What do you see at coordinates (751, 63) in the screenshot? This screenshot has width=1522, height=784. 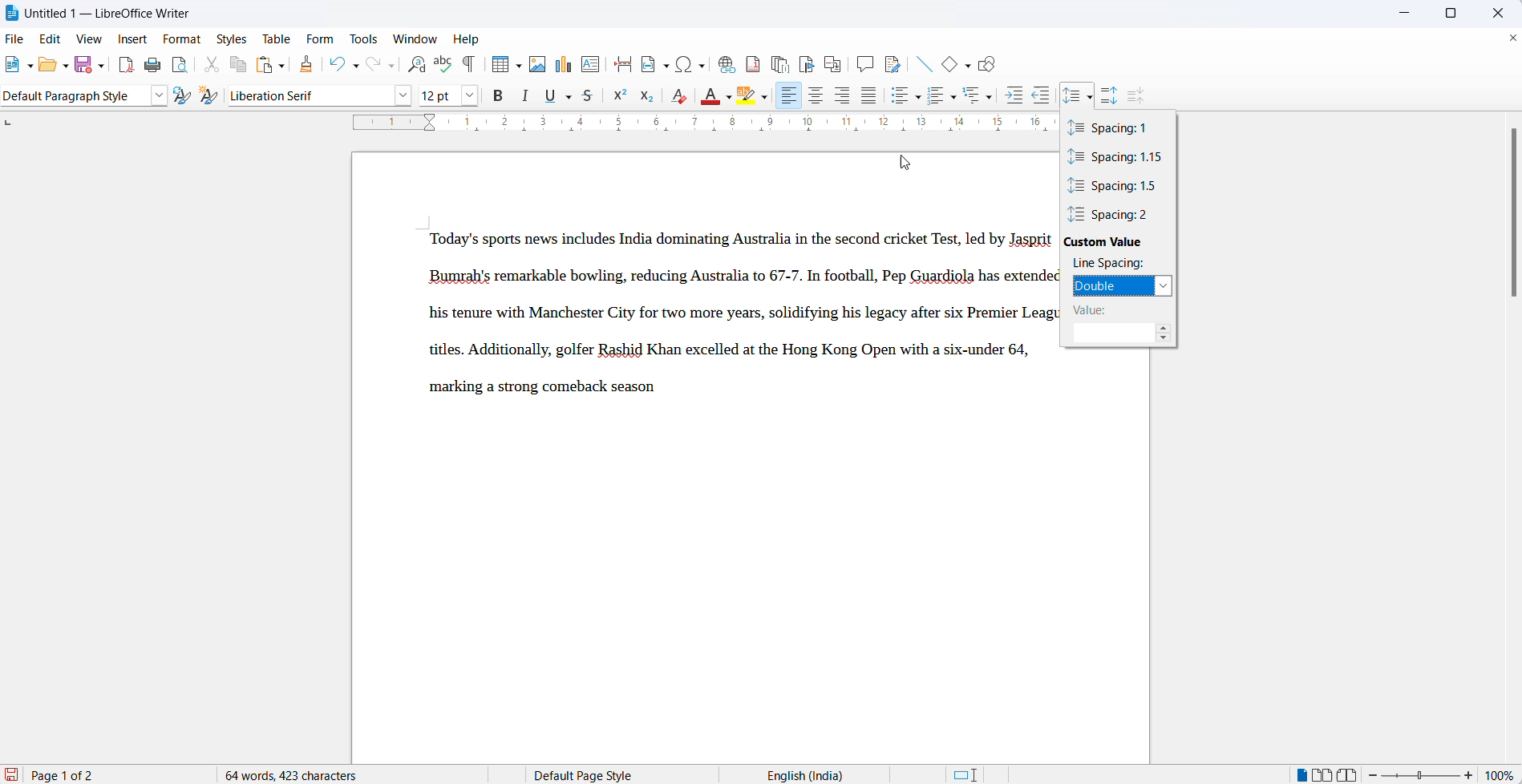 I see `insert footnote` at bounding box center [751, 63].